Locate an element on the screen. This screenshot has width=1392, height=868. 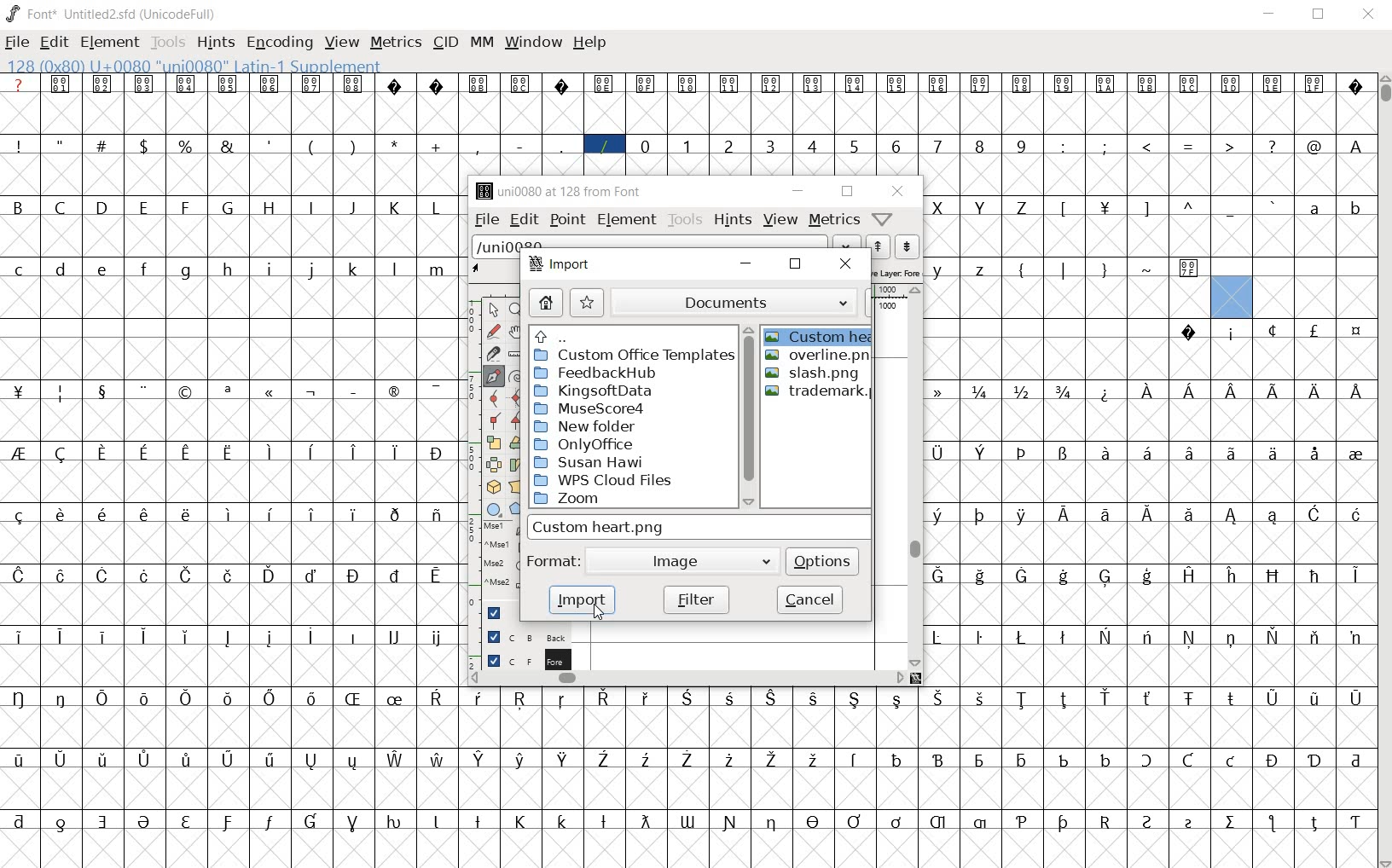
glyph is located at coordinates (61, 825).